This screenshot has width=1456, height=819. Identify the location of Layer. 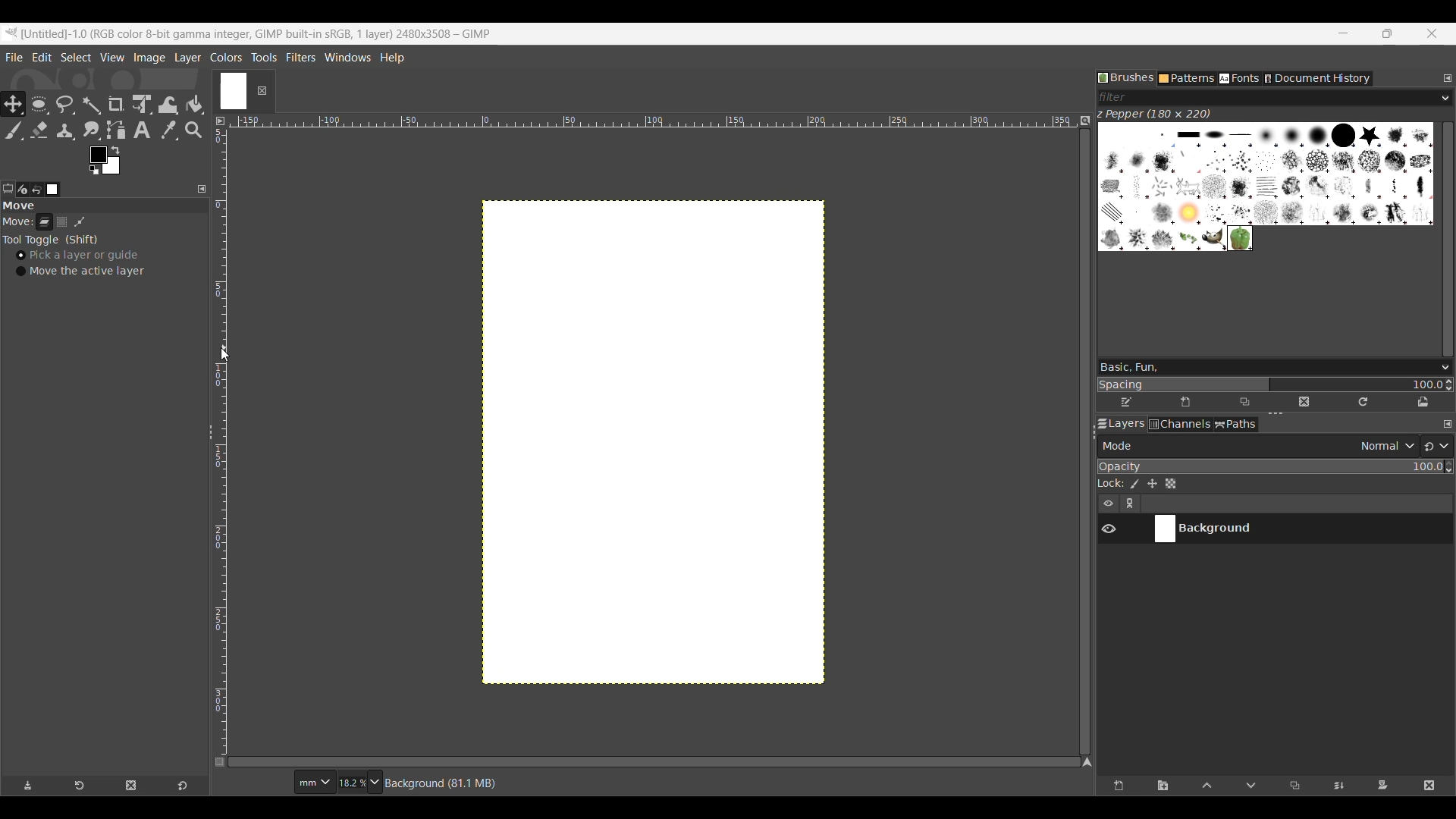
(45, 224).